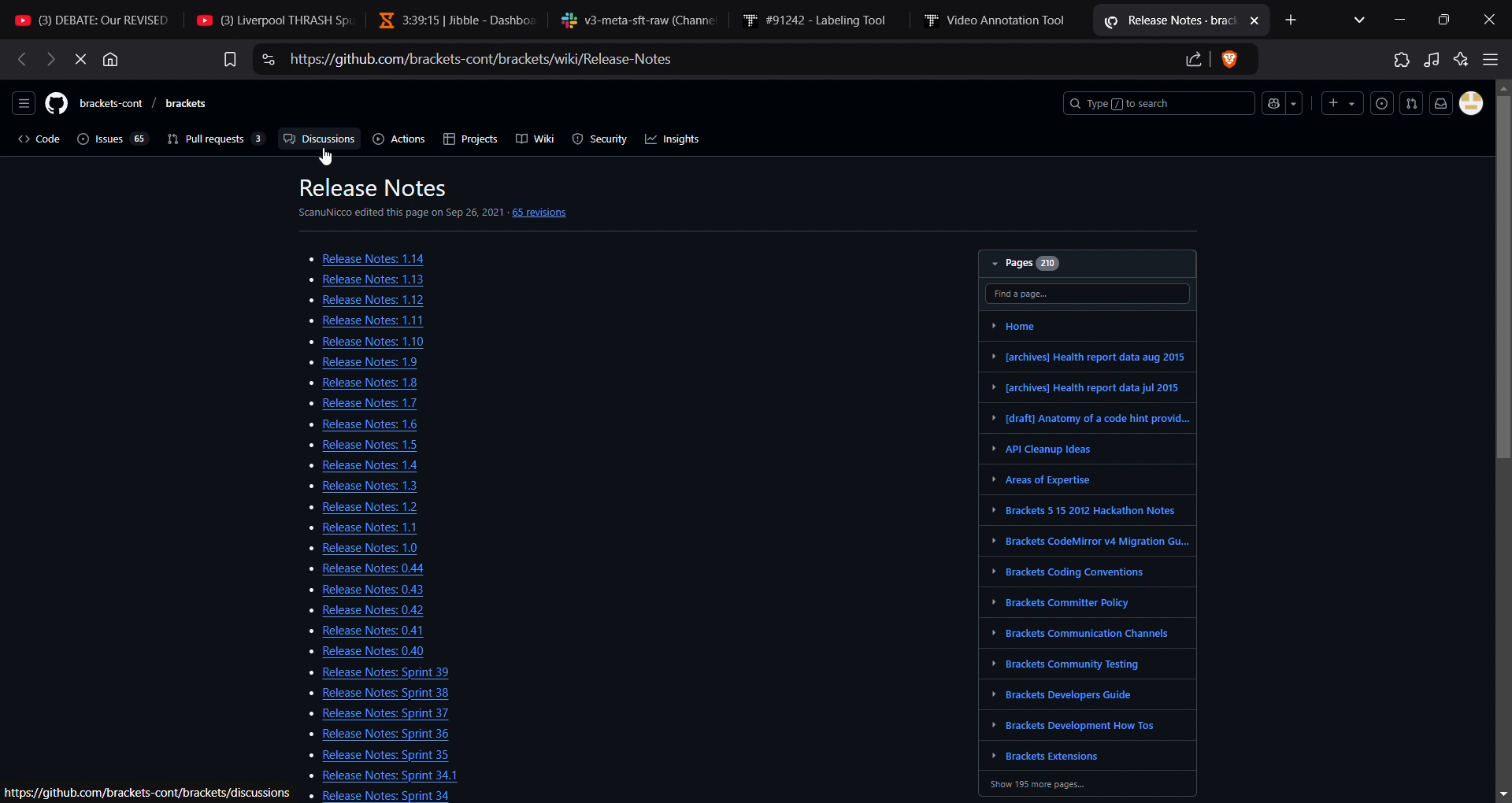 The height and width of the screenshot is (803, 1512). I want to click on go to home, so click(113, 58).